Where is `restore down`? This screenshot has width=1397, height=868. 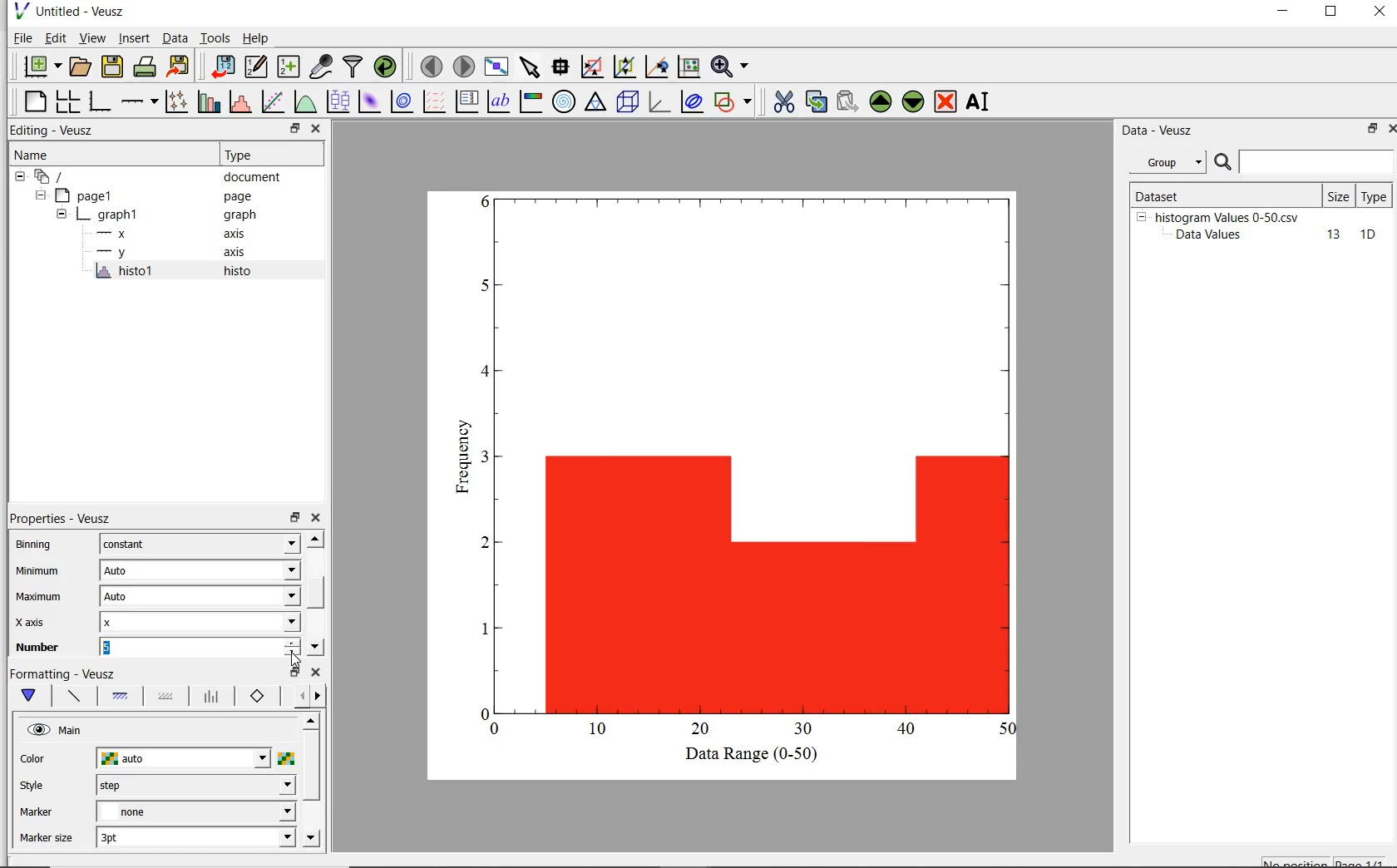 restore down is located at coordinates (1367, 130).